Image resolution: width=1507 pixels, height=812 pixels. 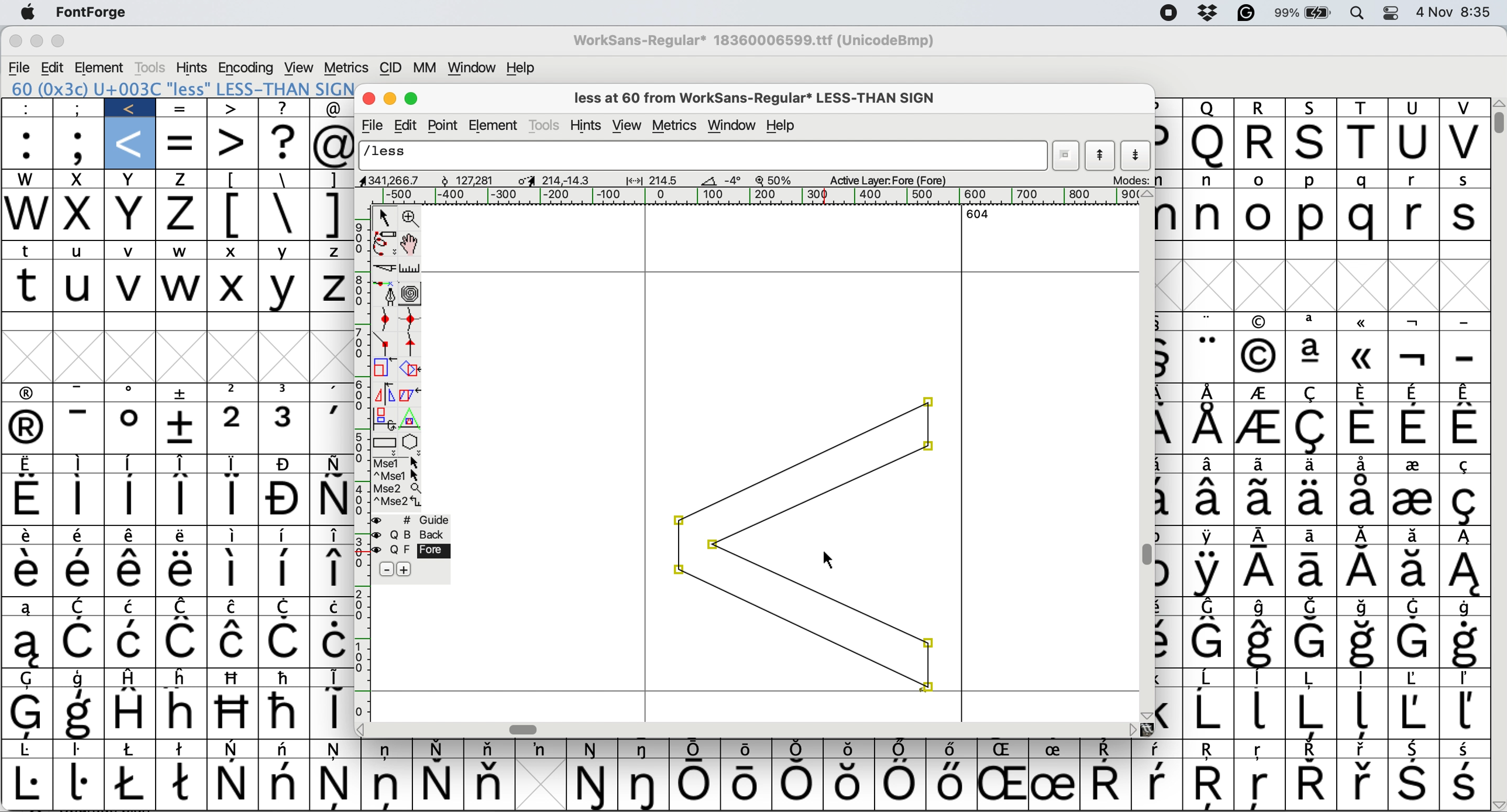 What do you see at coordinates (411, 551) in the screenshot?
I see `fore` at bounding box center [411, 551].